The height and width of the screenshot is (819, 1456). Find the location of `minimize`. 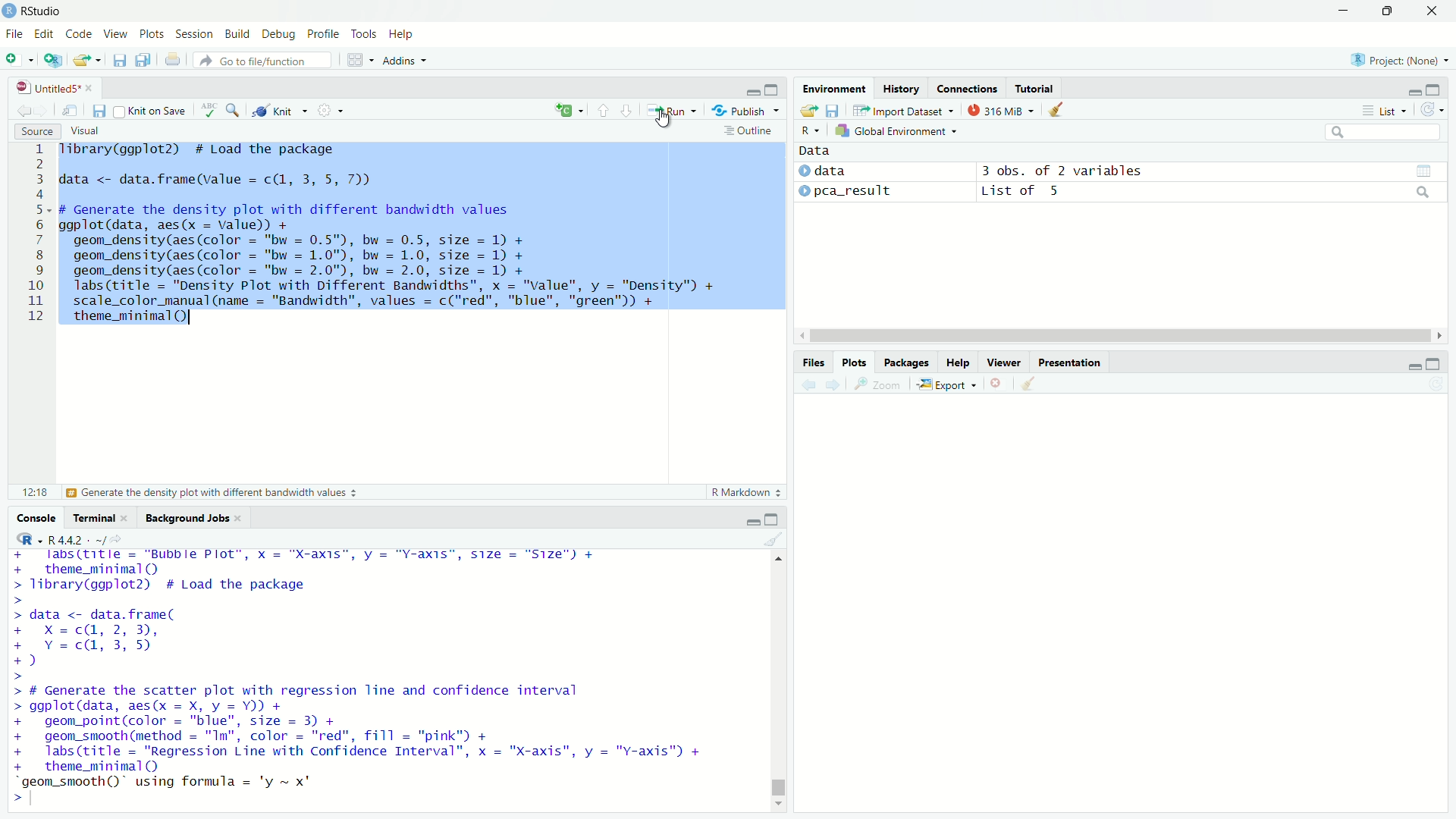

minimize is located at coordinates (752, 522).